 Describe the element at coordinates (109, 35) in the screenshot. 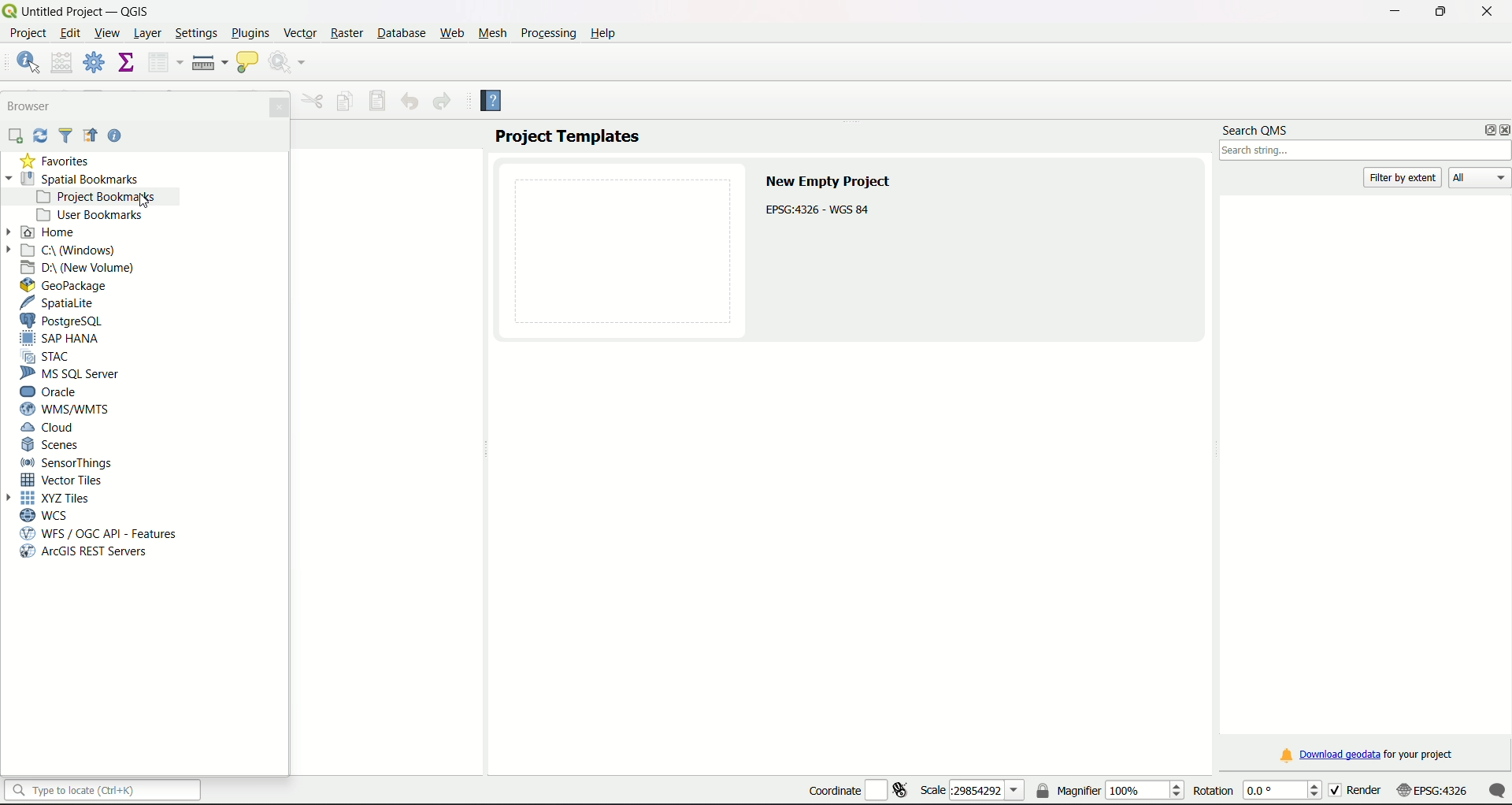

I see `View` at that location.